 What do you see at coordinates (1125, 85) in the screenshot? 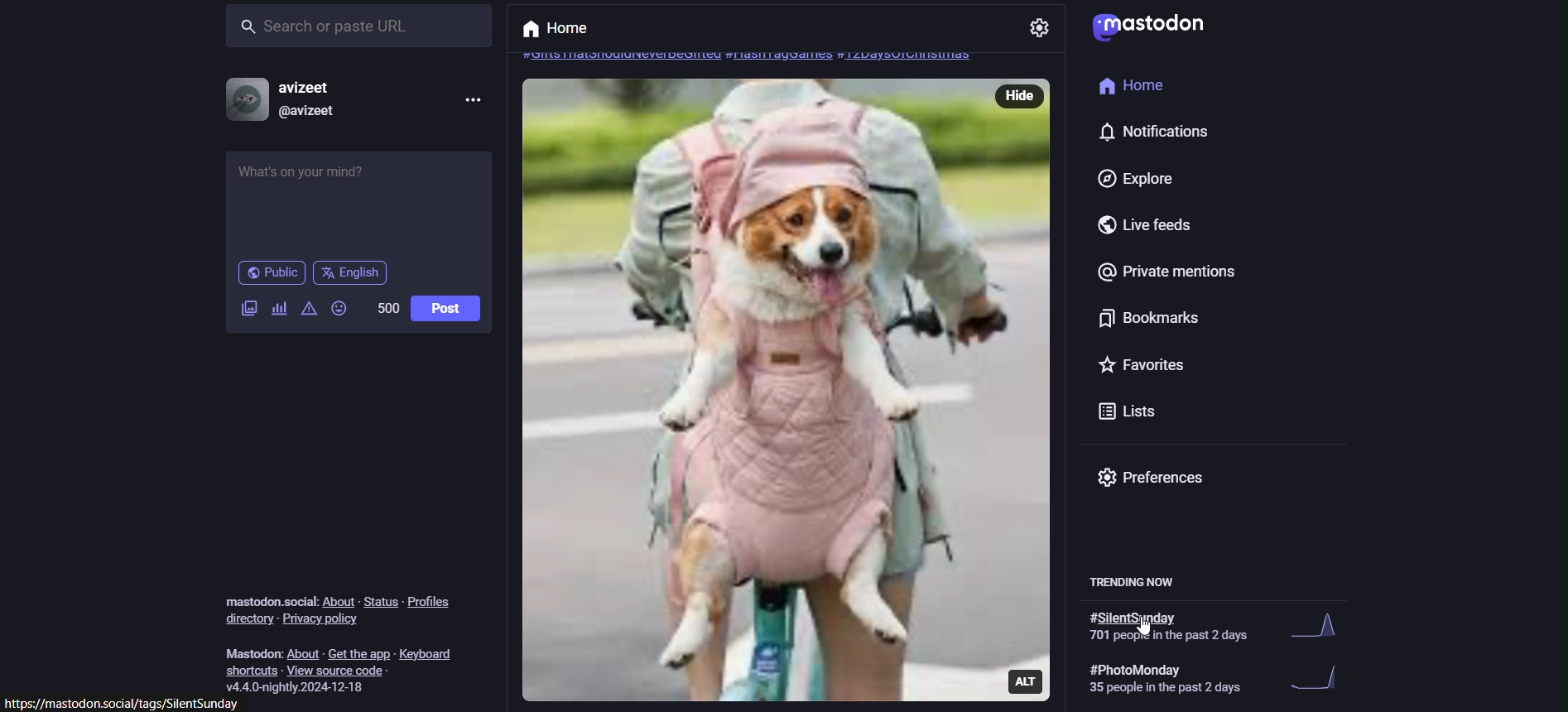
I see `home` at bounding box center [1125, 85].